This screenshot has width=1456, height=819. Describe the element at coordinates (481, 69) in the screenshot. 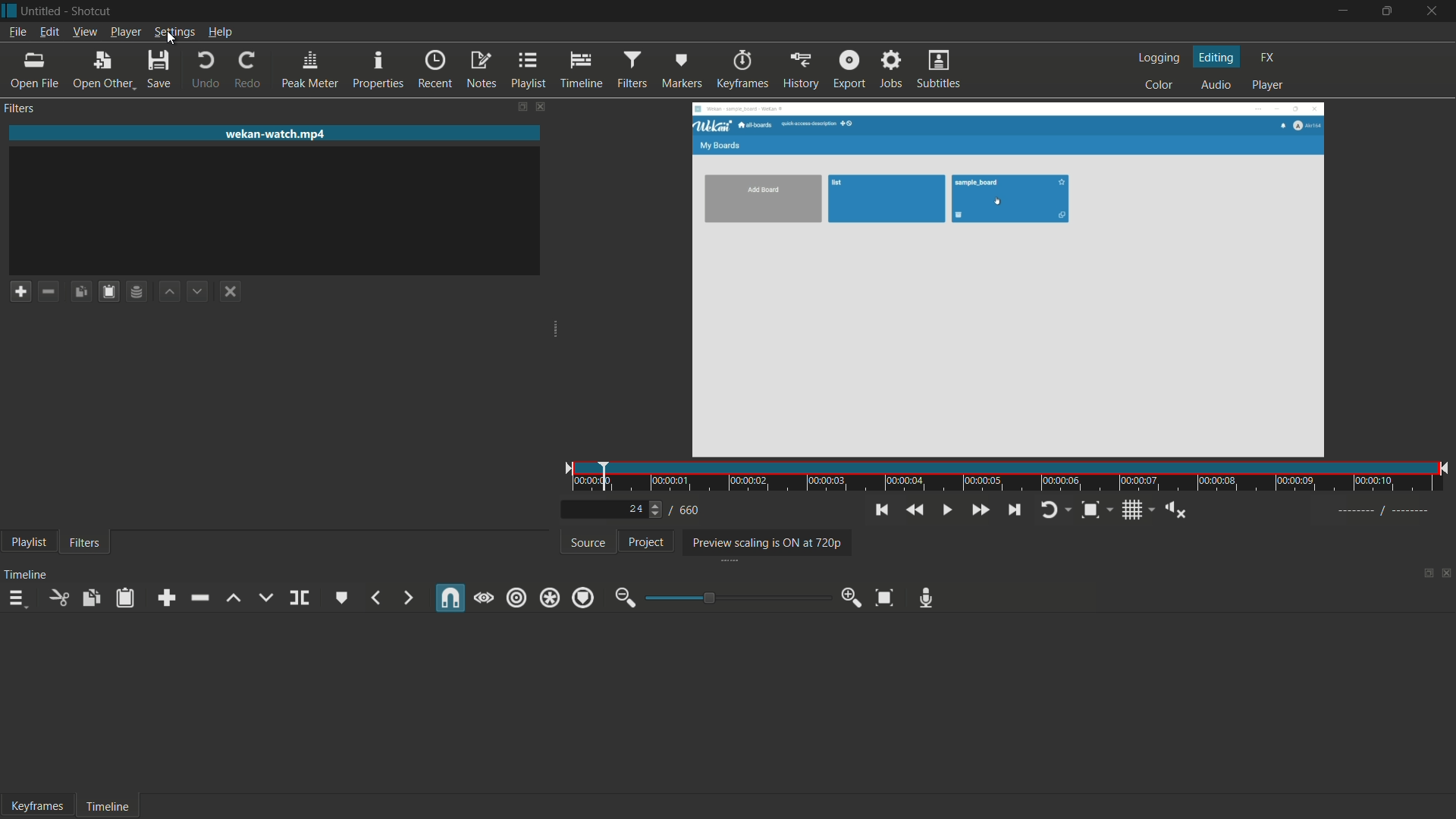

I see `notes` at that location.